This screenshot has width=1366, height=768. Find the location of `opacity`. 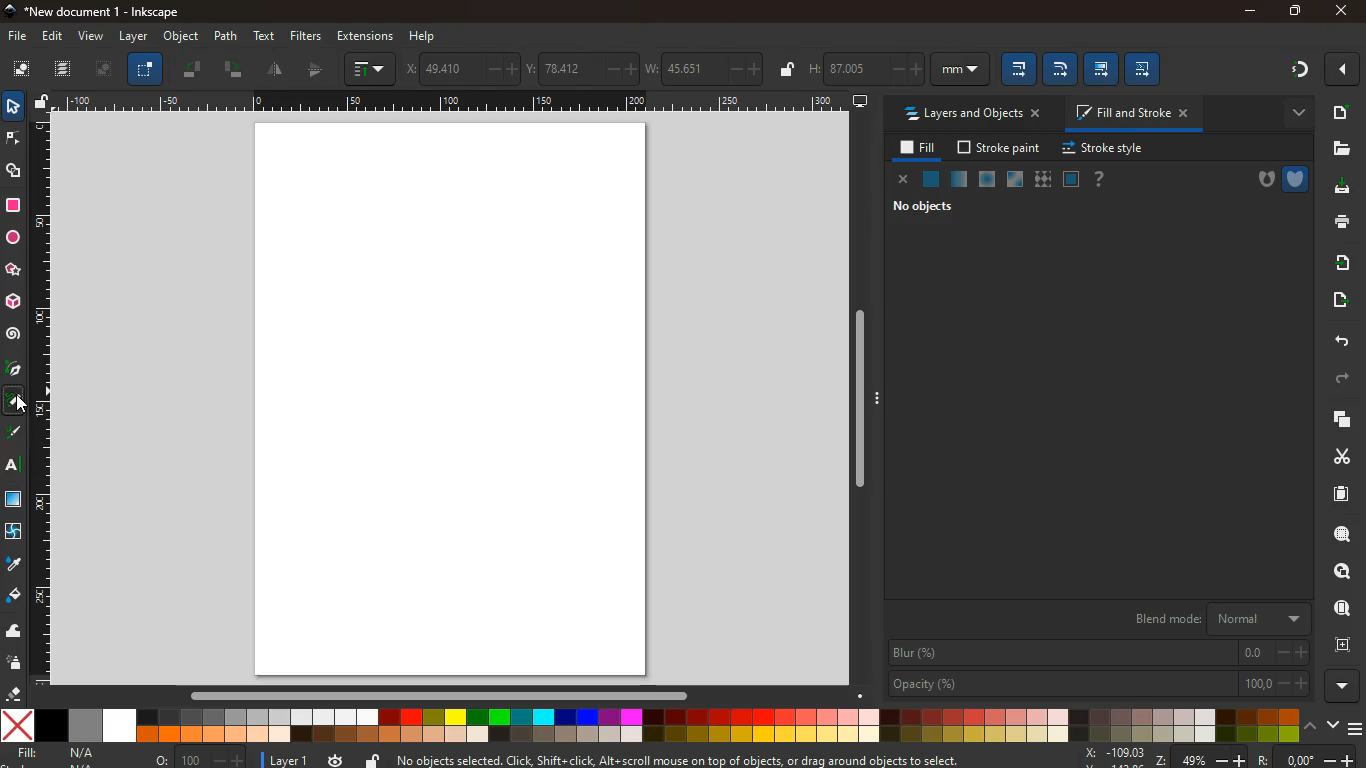

opacity is located at coordinates (1100, 684).